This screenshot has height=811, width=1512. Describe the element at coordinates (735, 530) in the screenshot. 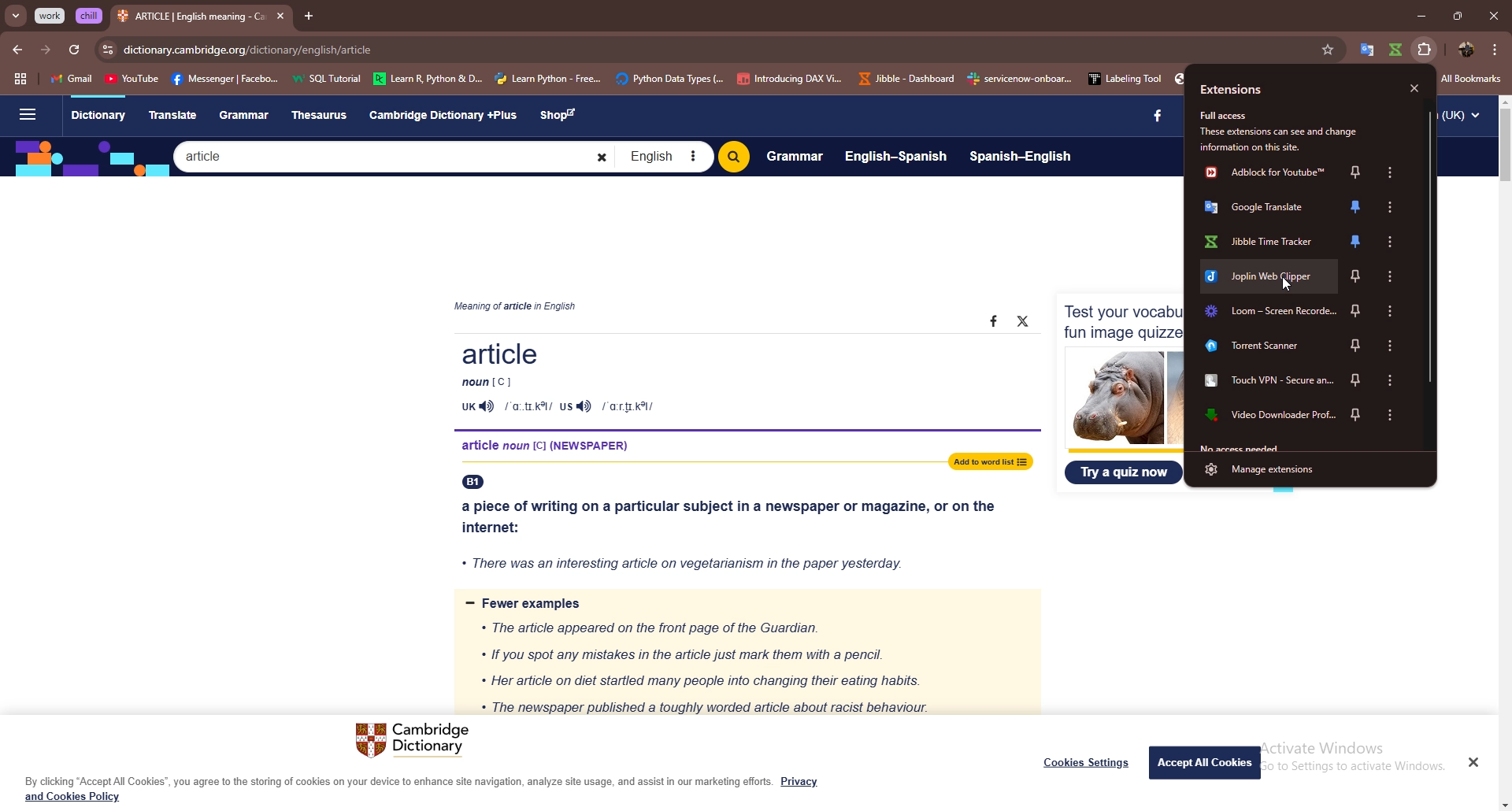

I see `a piece of writing on a particular subject in a newspaper or magazine, or on the
internet:
« There was an interesting article on vegetarianism in the paper yesterday.` at that location.